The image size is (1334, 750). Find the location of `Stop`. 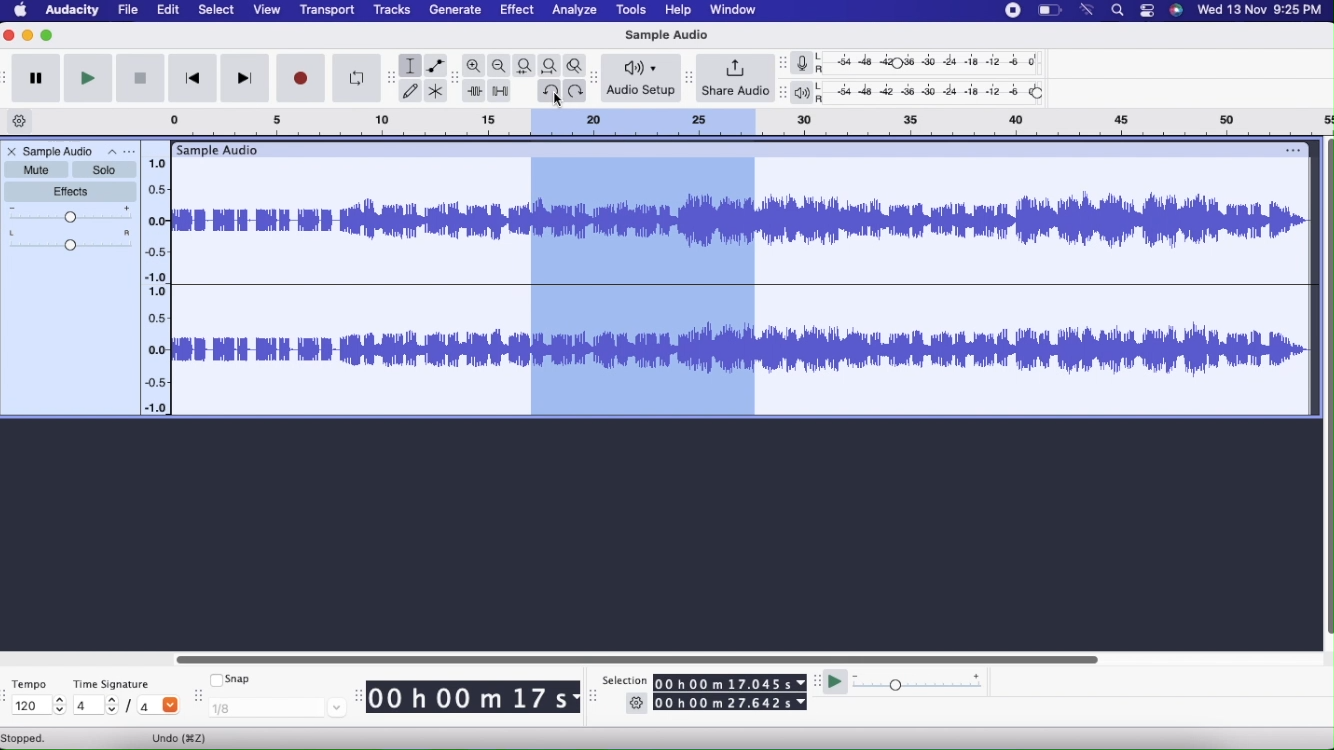

Stop is located at coordinates (141, 77).